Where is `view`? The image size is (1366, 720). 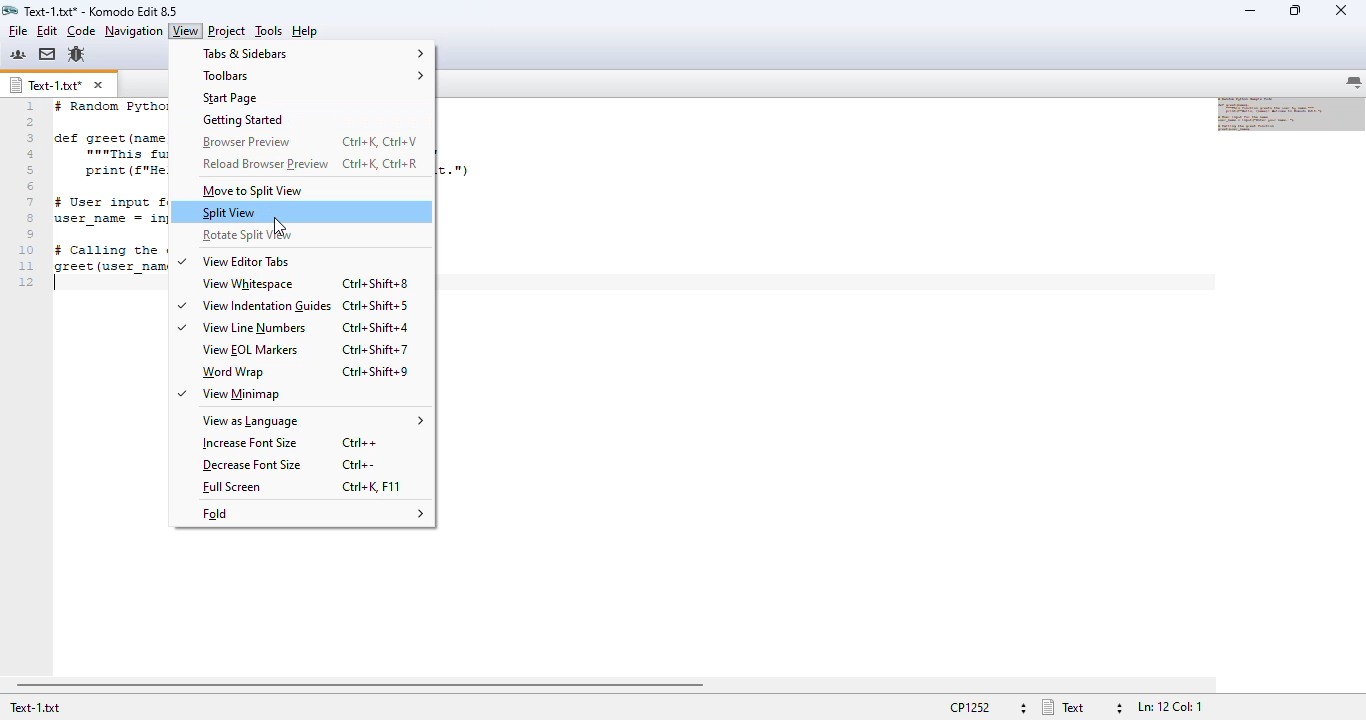
view is located at coordinates (185, 31).